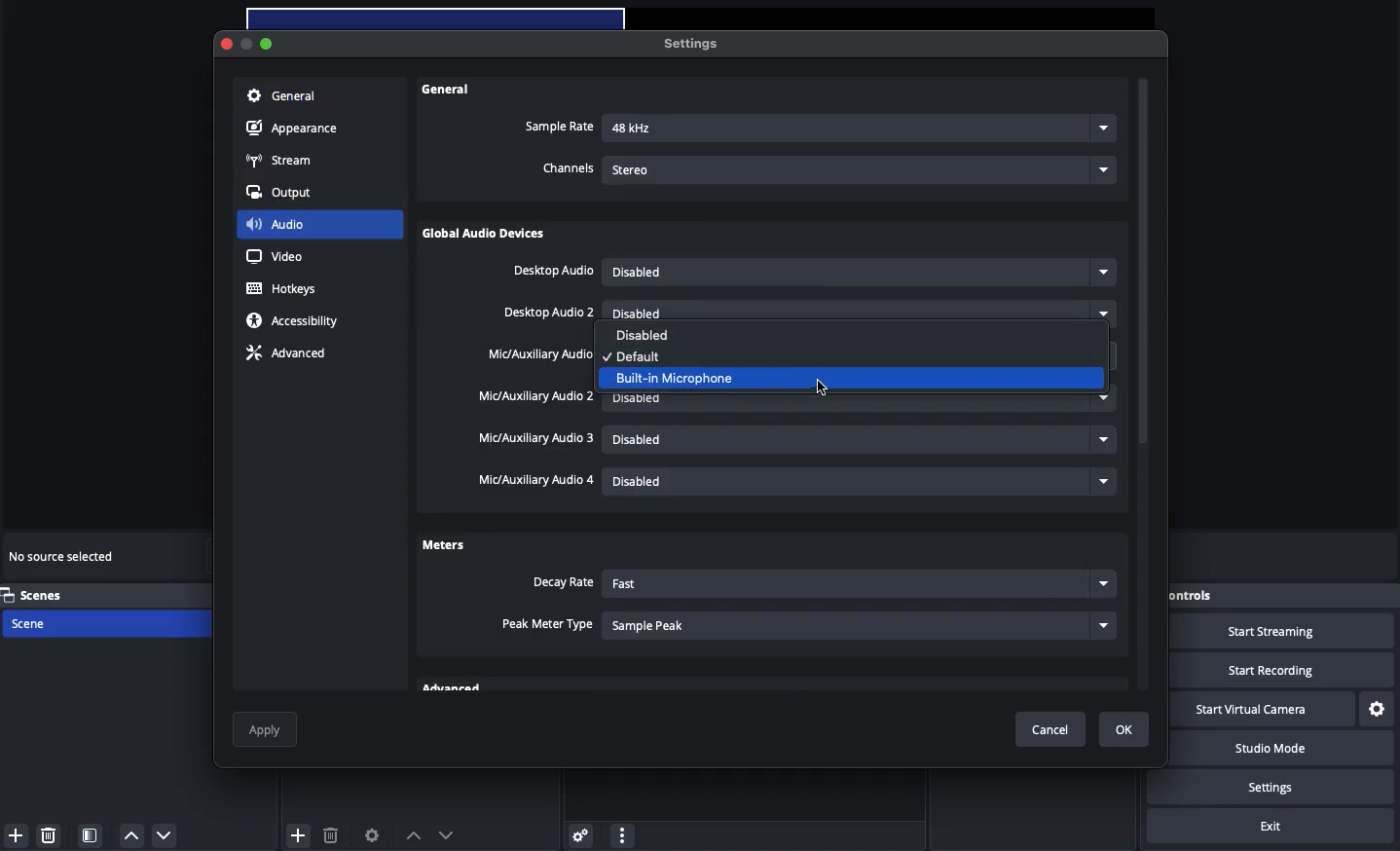 The height and width of the screenshot is (851, 1400). What do you see at coordinates (1055, 730) in the screenshot?
I see `Cancel` at bounding box center [1055, 730].